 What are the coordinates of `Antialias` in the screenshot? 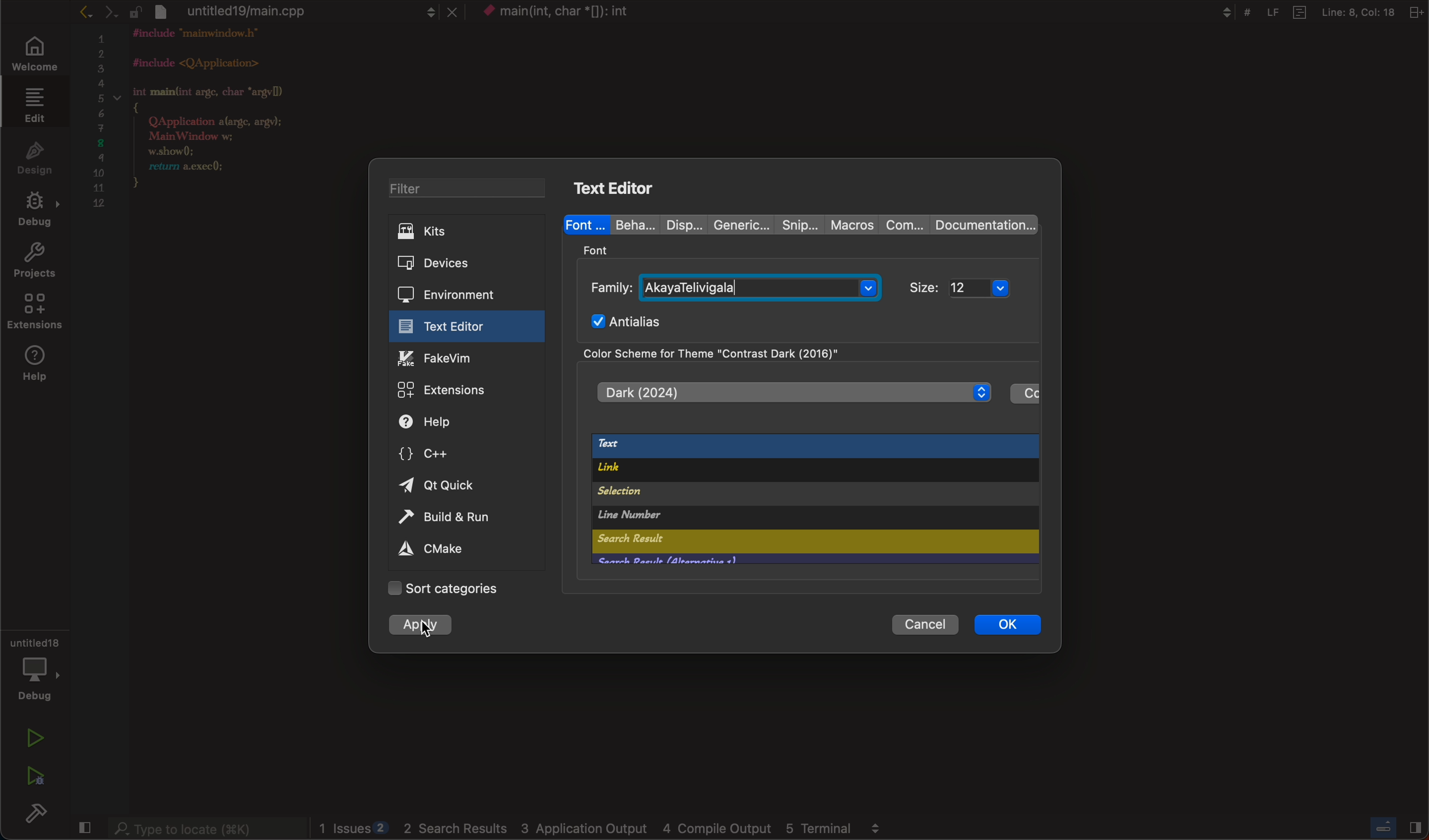 It's located at (631, 320).